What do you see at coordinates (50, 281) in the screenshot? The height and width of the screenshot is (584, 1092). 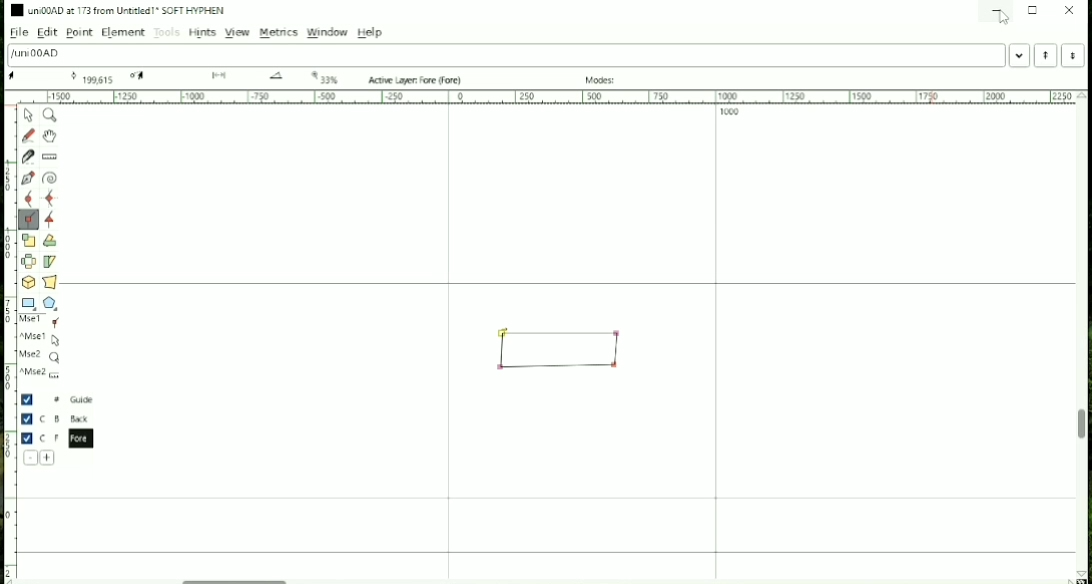 I see `Perform a perspective transformation on the selection` at bounding box center [50, 281].